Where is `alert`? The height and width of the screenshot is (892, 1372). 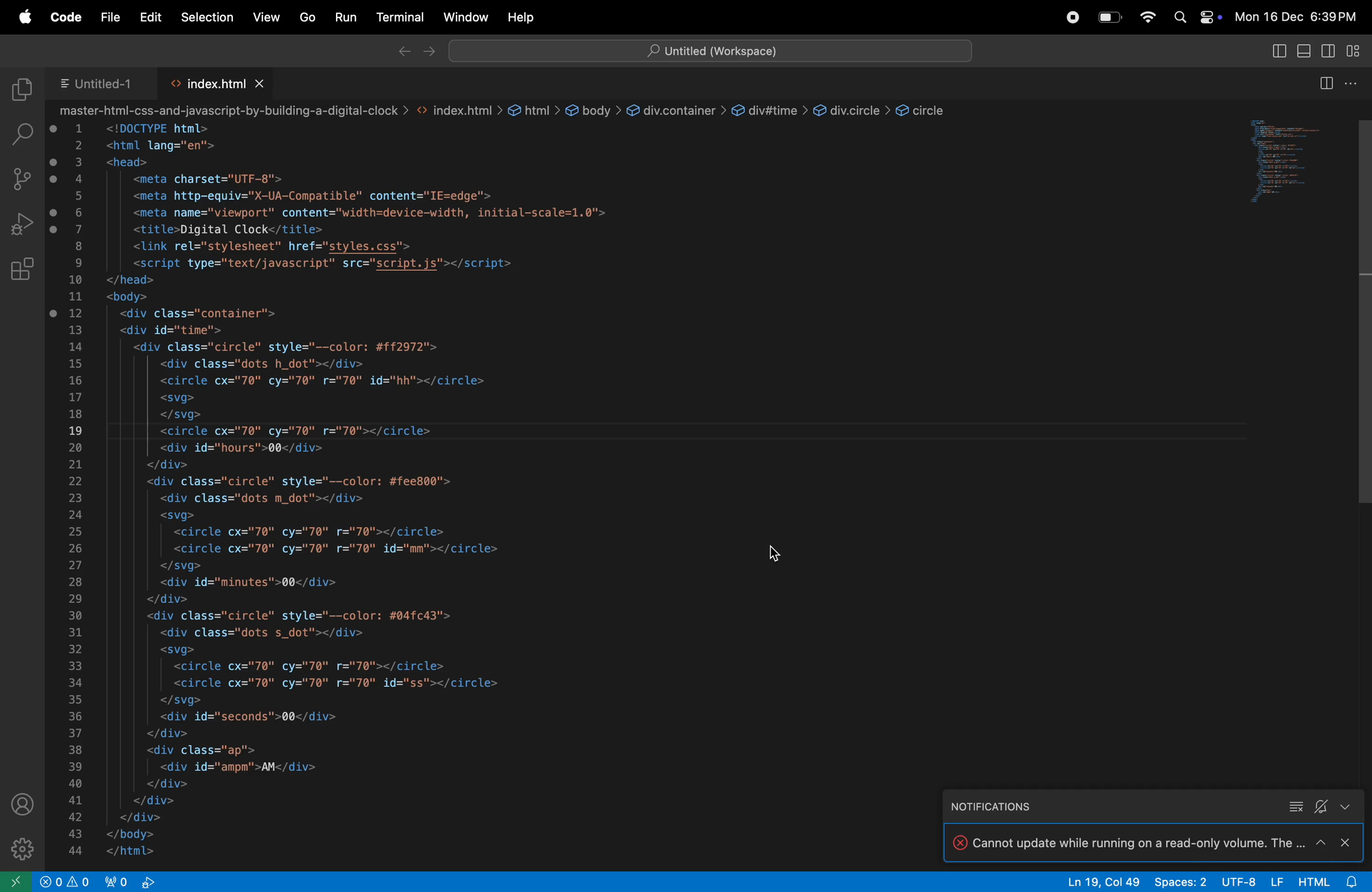
alert is located at coordinates (1321, 808).